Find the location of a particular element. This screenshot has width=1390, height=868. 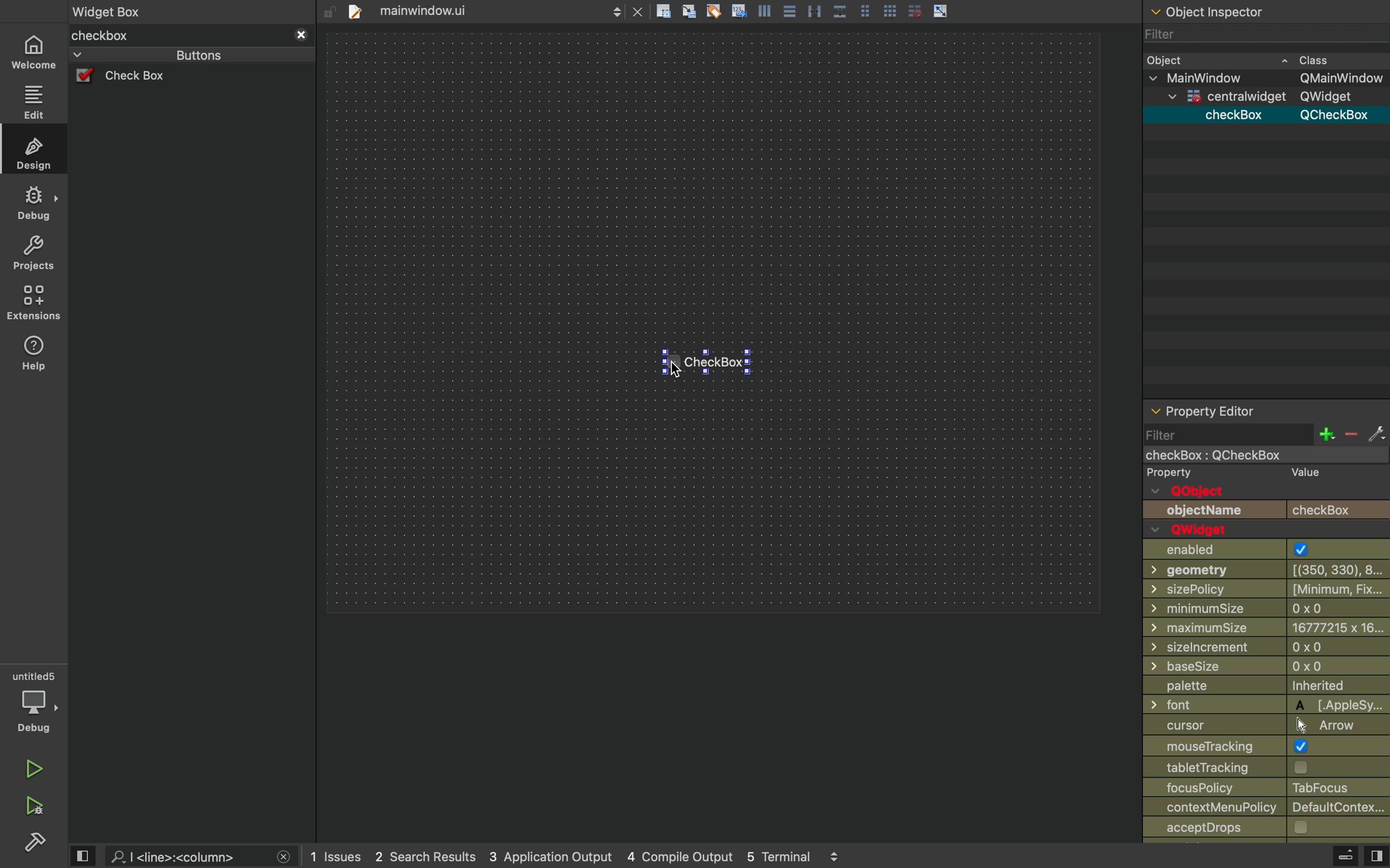

Widget Box is located at coordinates (111, 10).